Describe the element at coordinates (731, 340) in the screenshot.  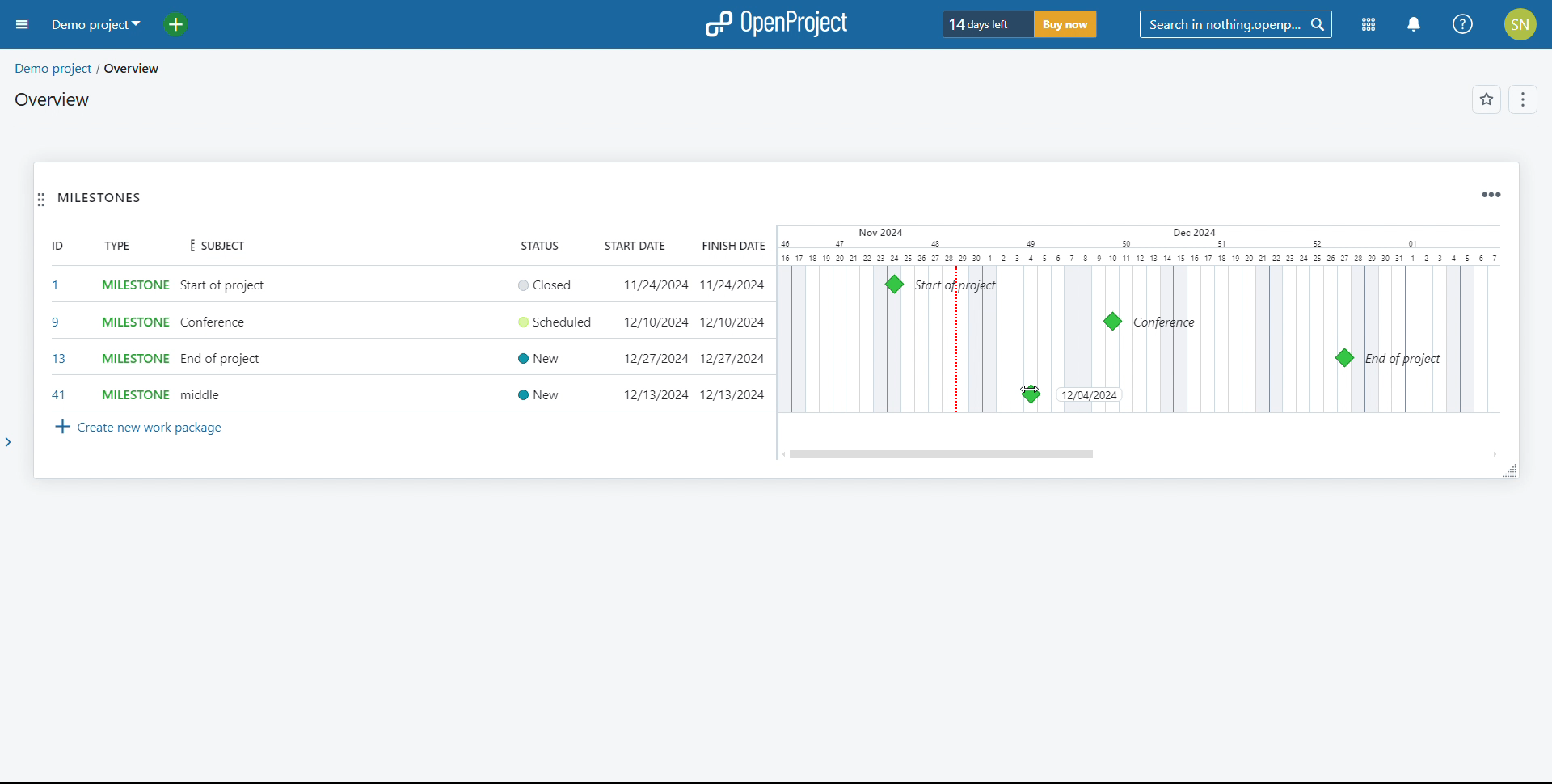
I see `finish date` at that location.